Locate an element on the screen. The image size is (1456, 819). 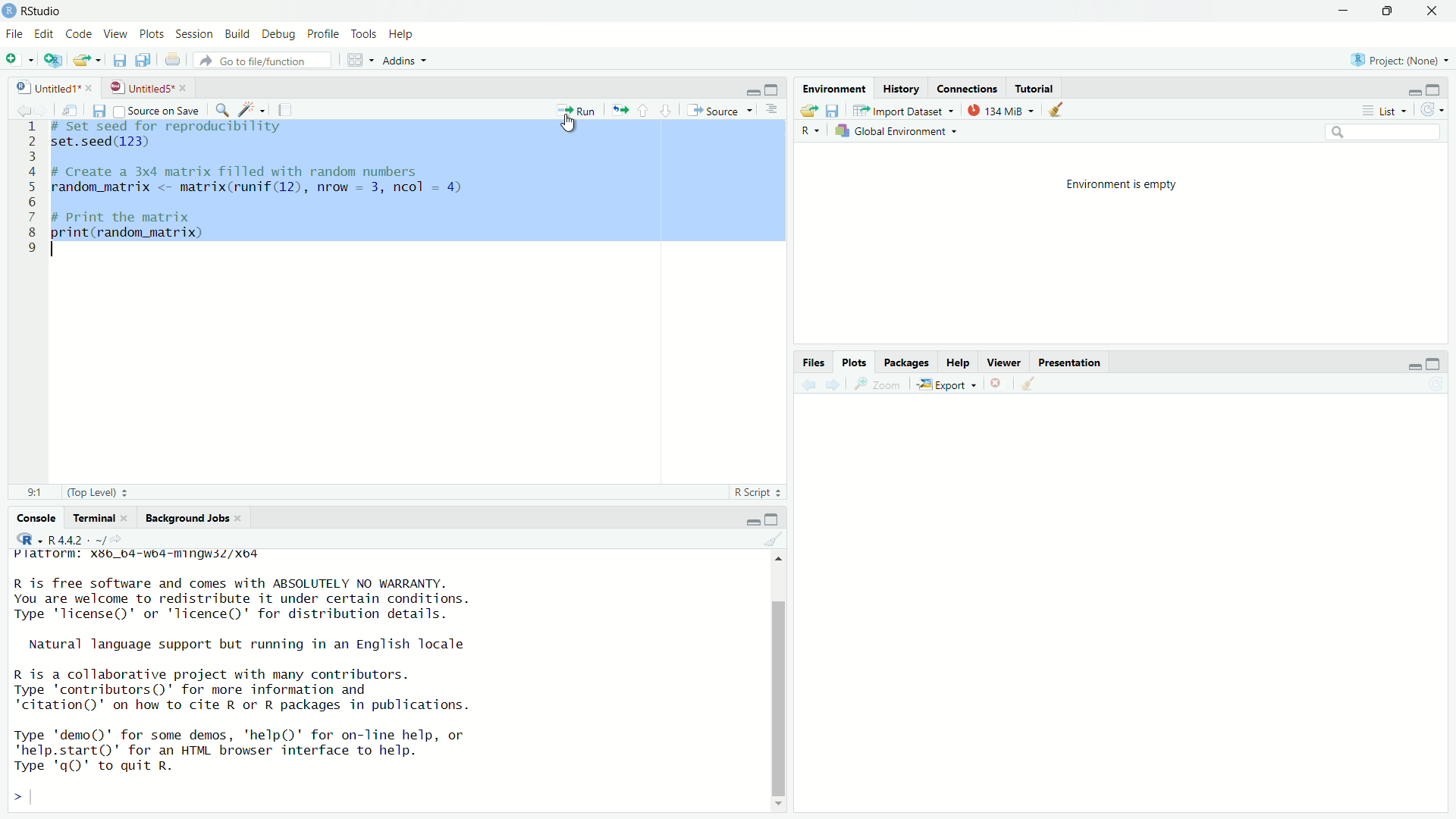
downward is located at coordinates (667, 109).